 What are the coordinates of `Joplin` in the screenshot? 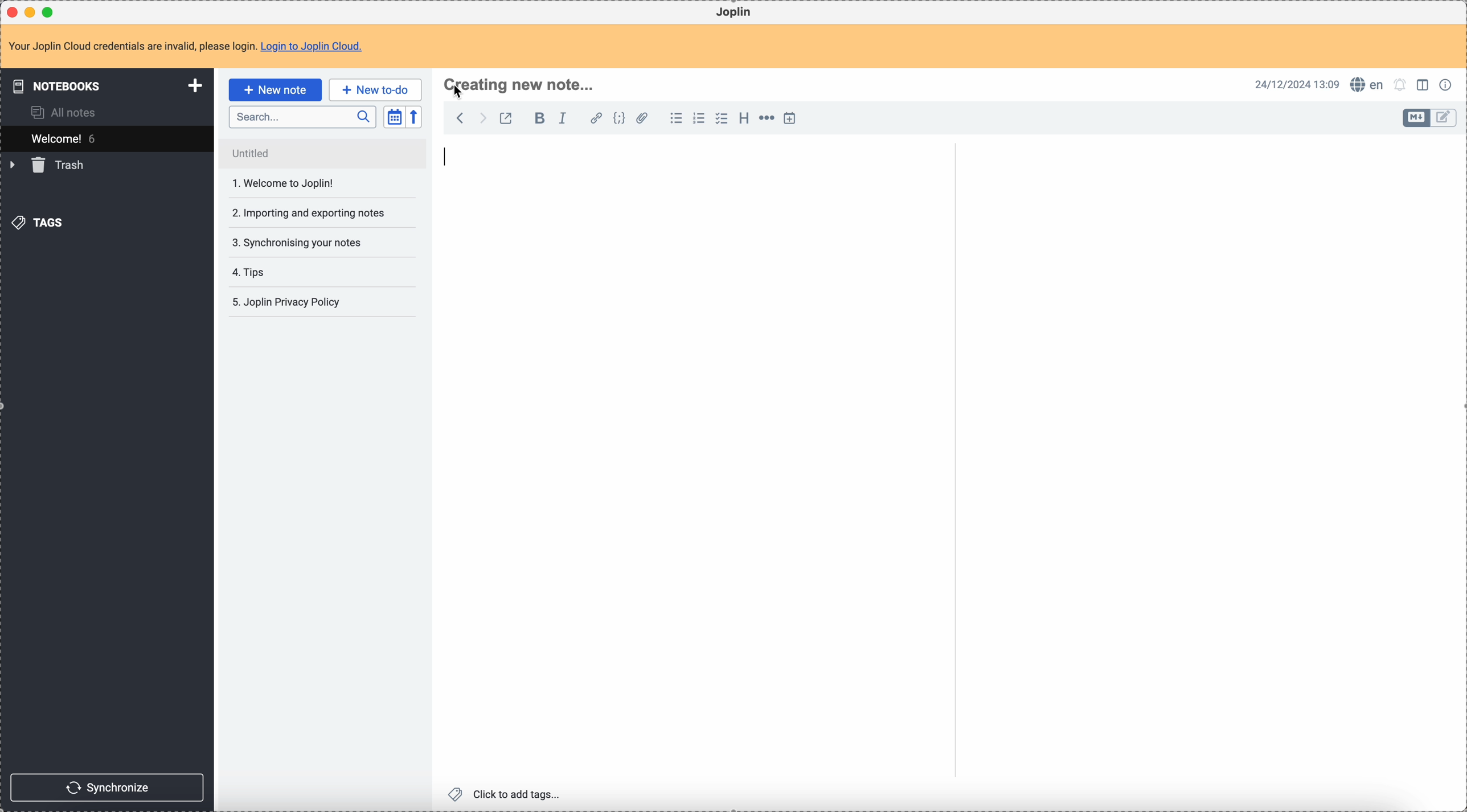 It's located at (733, 13).